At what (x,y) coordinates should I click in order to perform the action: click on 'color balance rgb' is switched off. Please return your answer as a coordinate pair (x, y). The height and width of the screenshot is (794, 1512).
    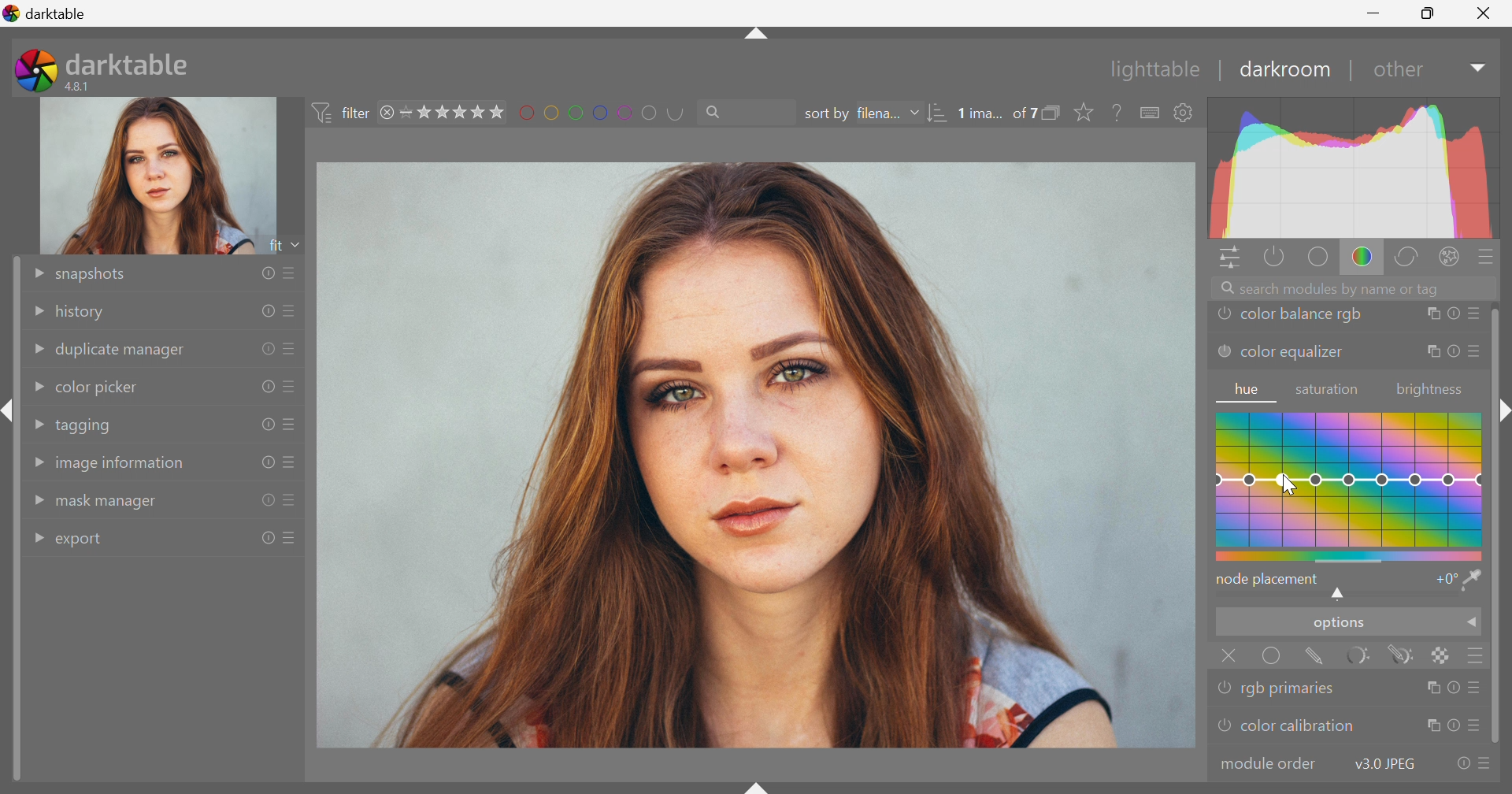
    Looking at the image, I should click on (1225, 316).